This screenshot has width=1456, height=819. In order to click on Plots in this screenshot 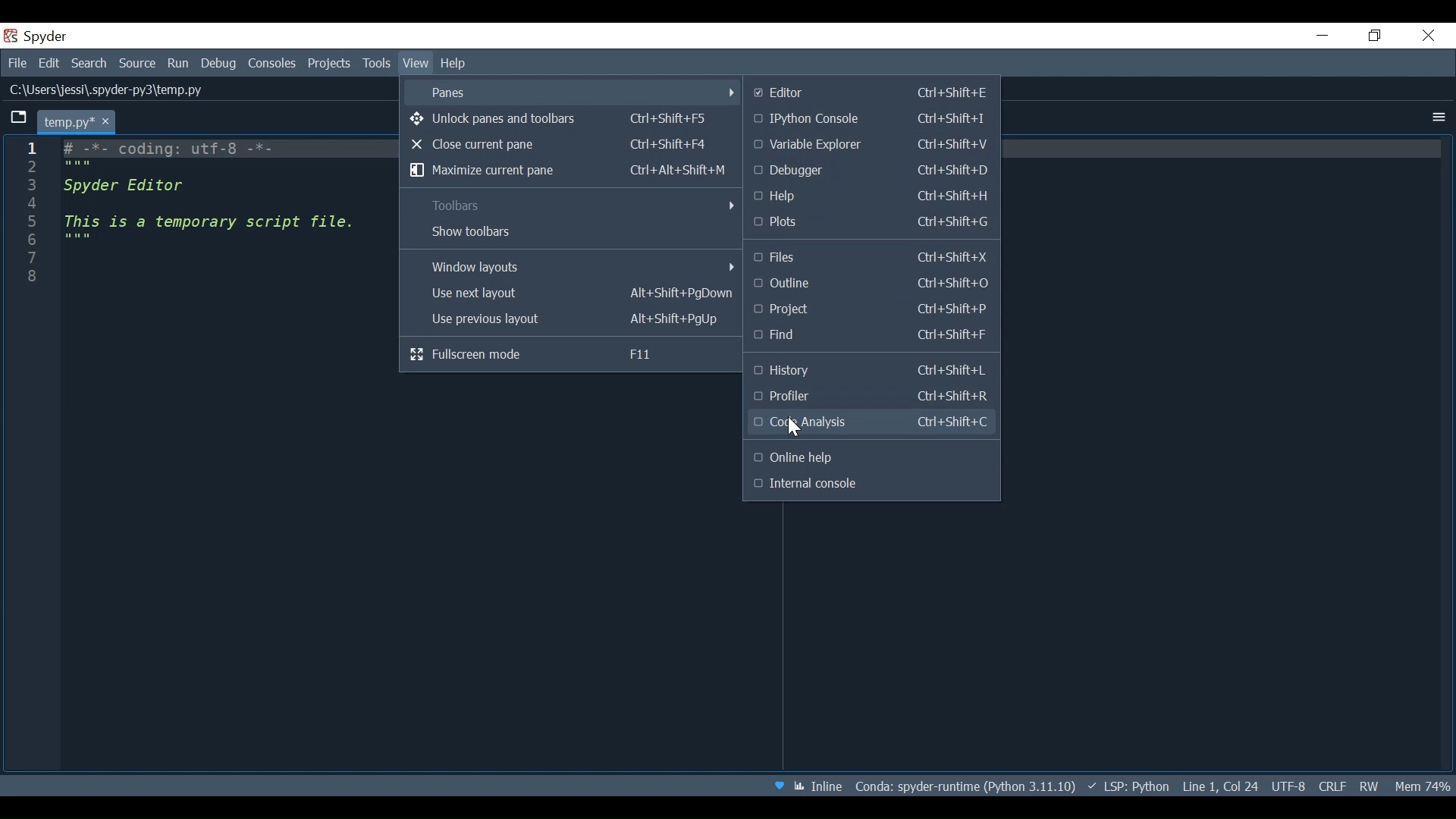, I will do `click(871, 223)`.